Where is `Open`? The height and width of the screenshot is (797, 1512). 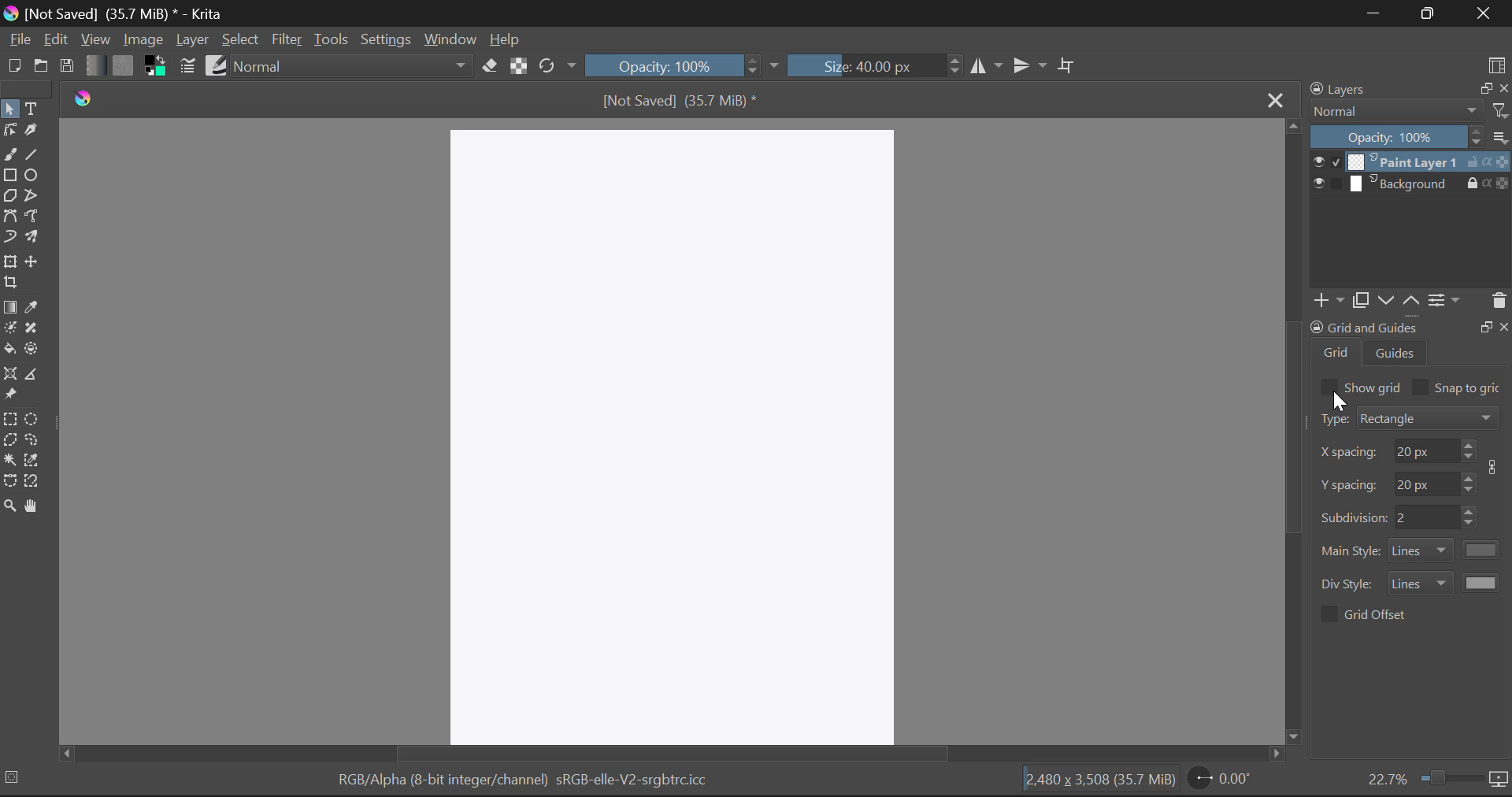 Open is located at coordinates (41, 68).